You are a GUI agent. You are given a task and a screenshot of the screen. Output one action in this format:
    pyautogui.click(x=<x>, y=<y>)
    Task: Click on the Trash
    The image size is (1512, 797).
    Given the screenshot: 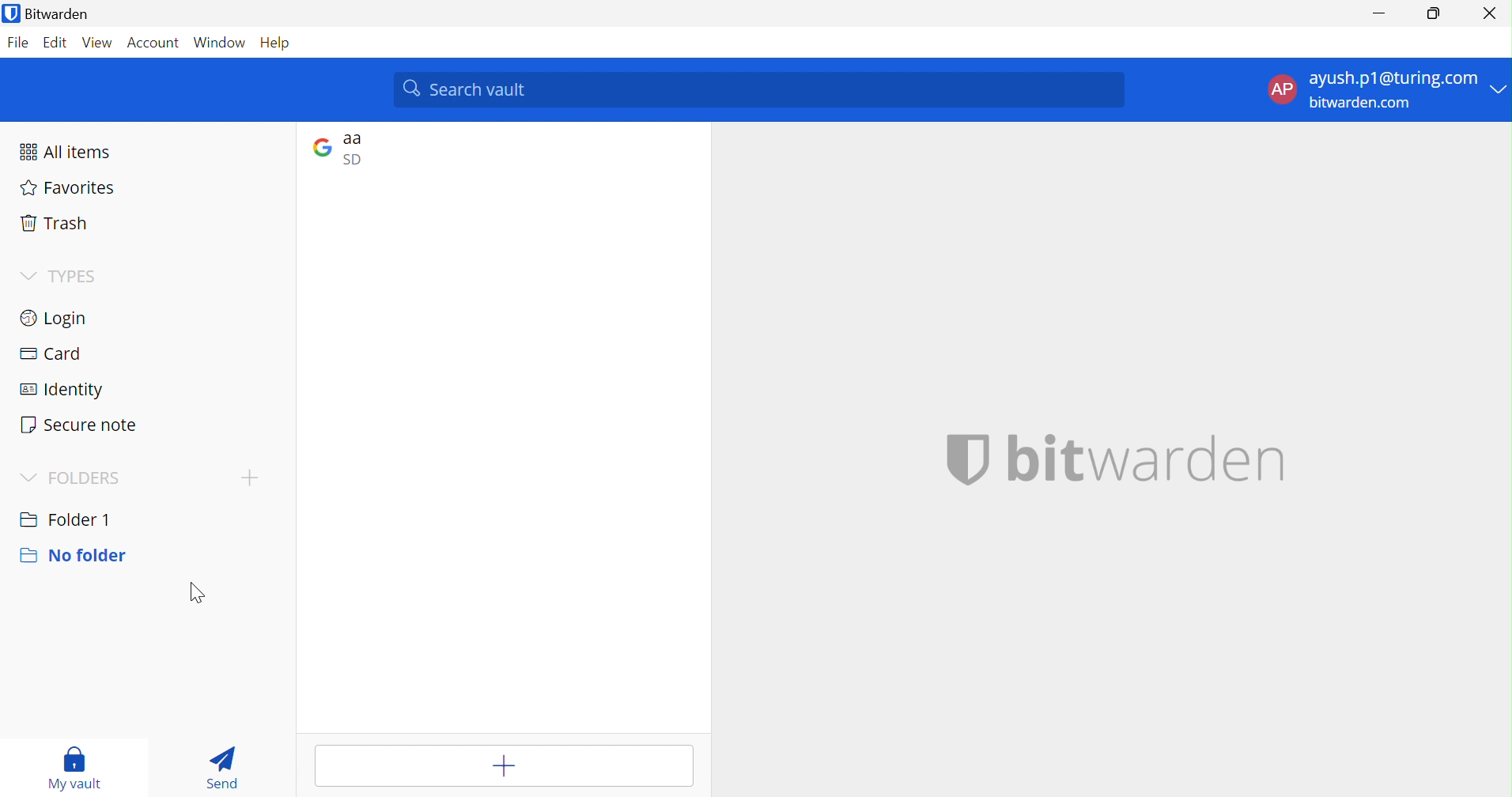 What is the action you would take?
    pyautogui.click(x=59, y=224)
    